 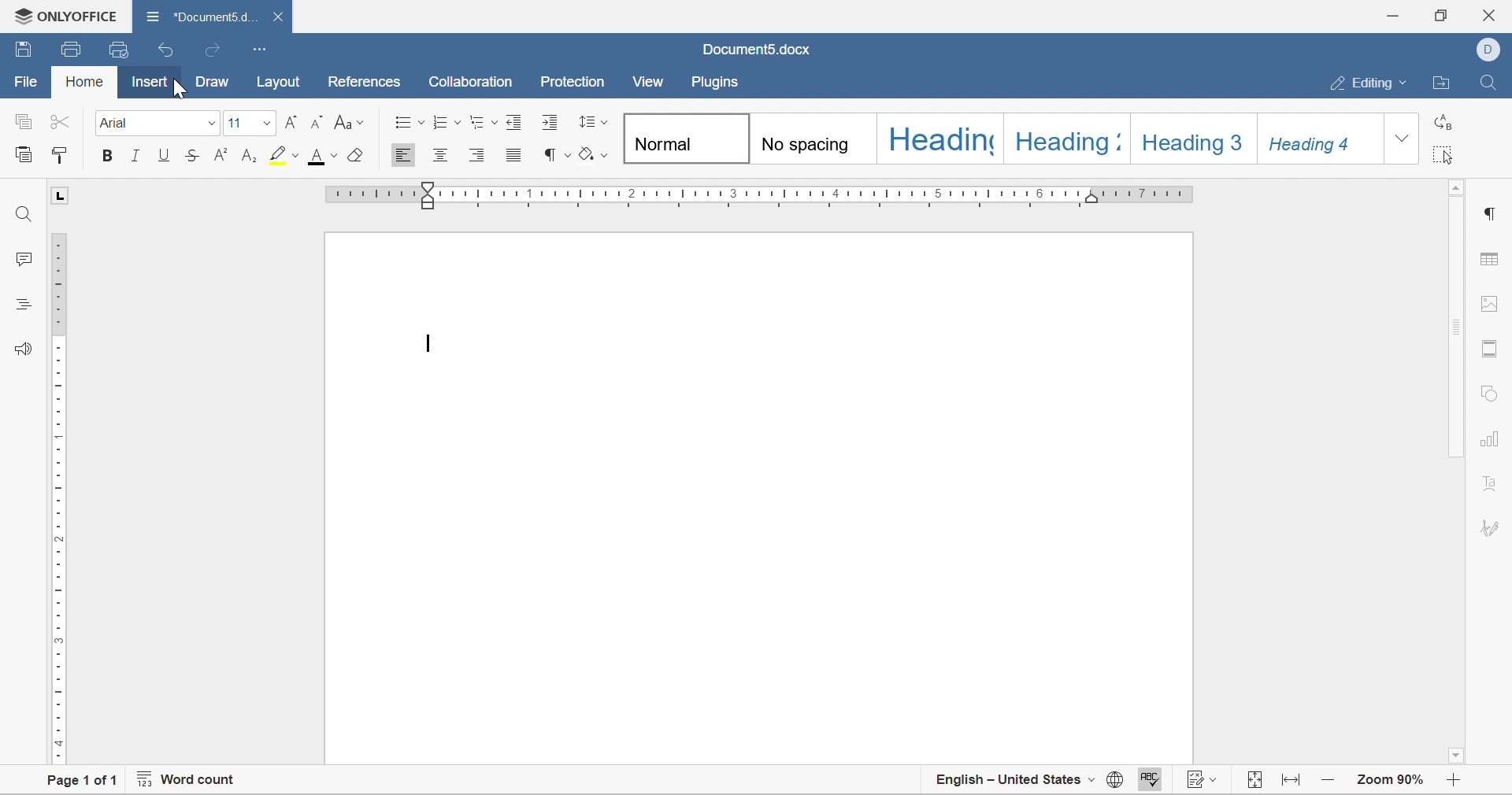 What do you see at coordinates (215, 52) in the screenshot?
I see `redo` at bounding box center [215, 52].